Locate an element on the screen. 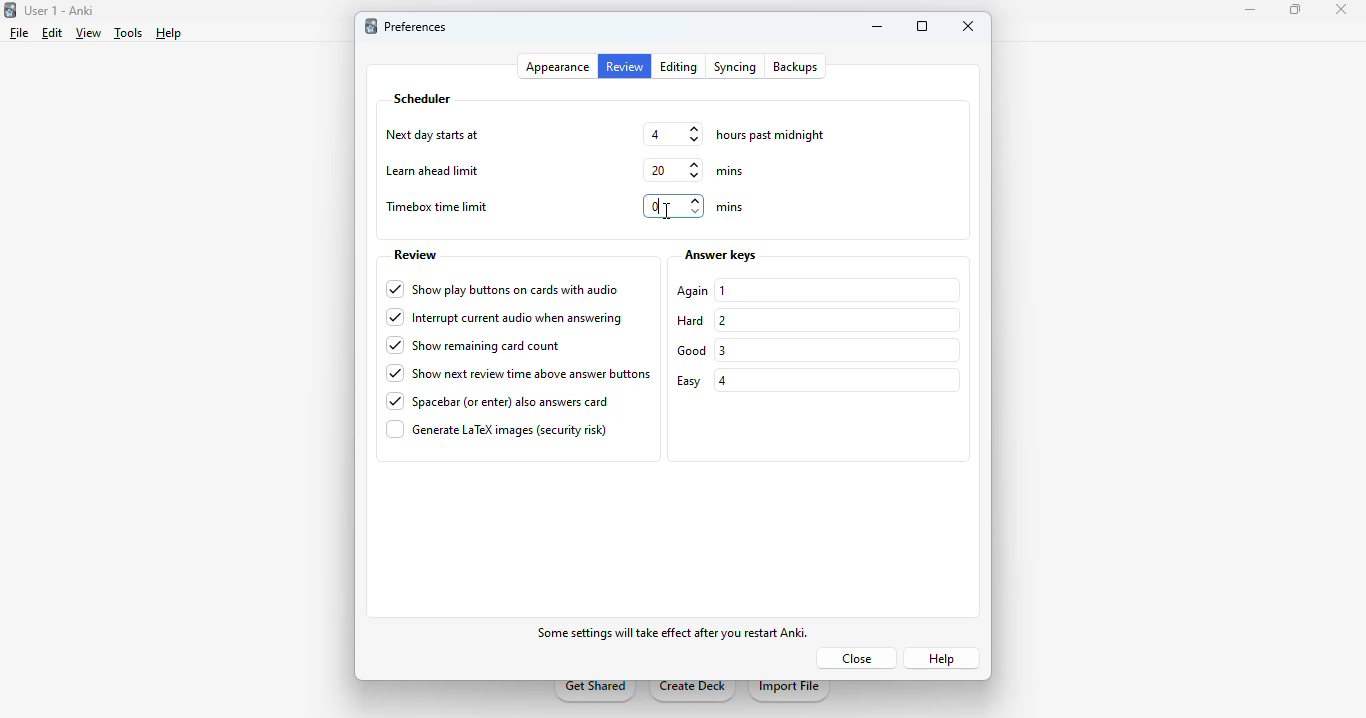 This screenshot has width=1366, height=718. cursor is located at coordinates (670, 213).